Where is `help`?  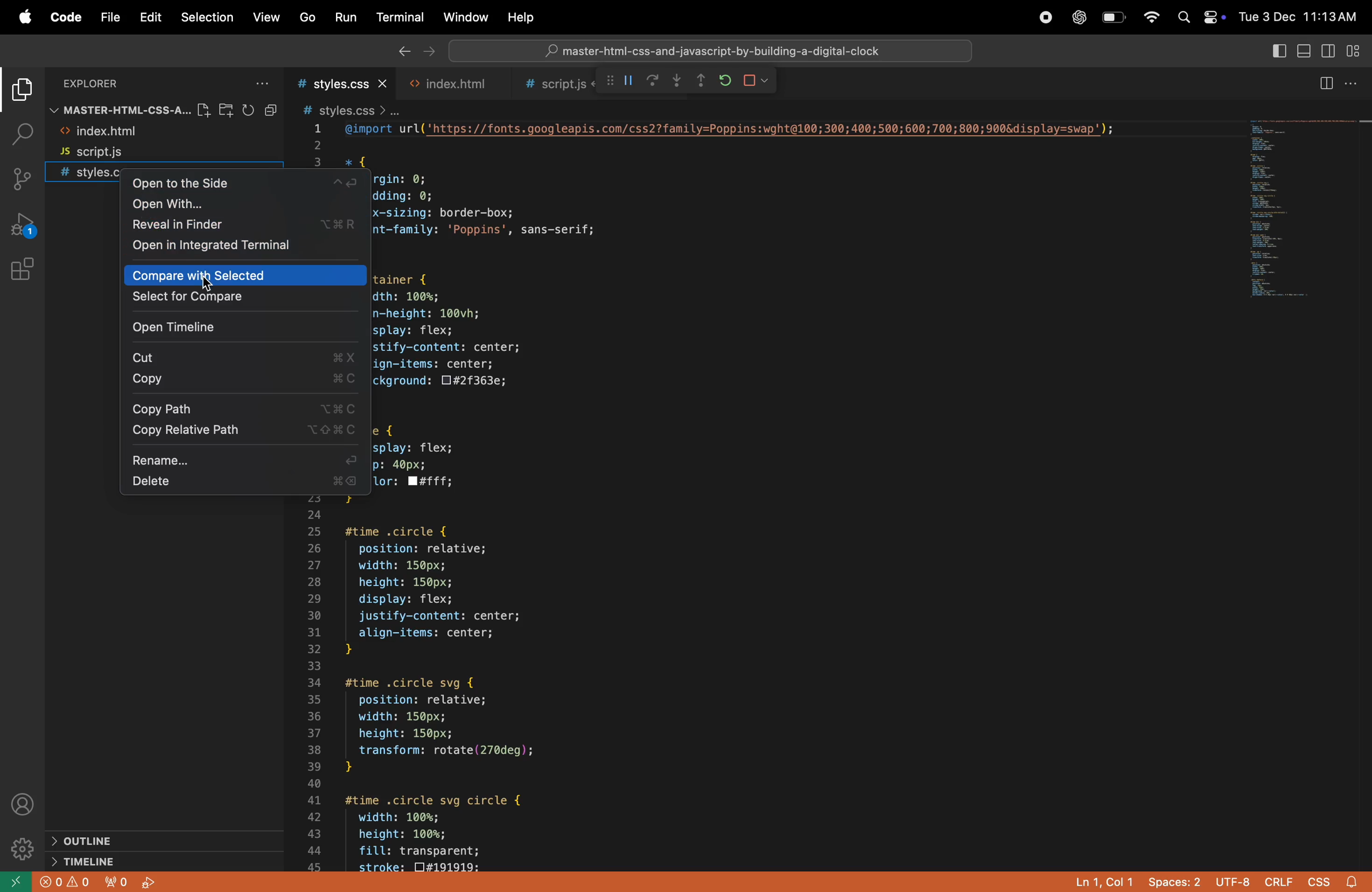 help is located at coordinates (520, 16).